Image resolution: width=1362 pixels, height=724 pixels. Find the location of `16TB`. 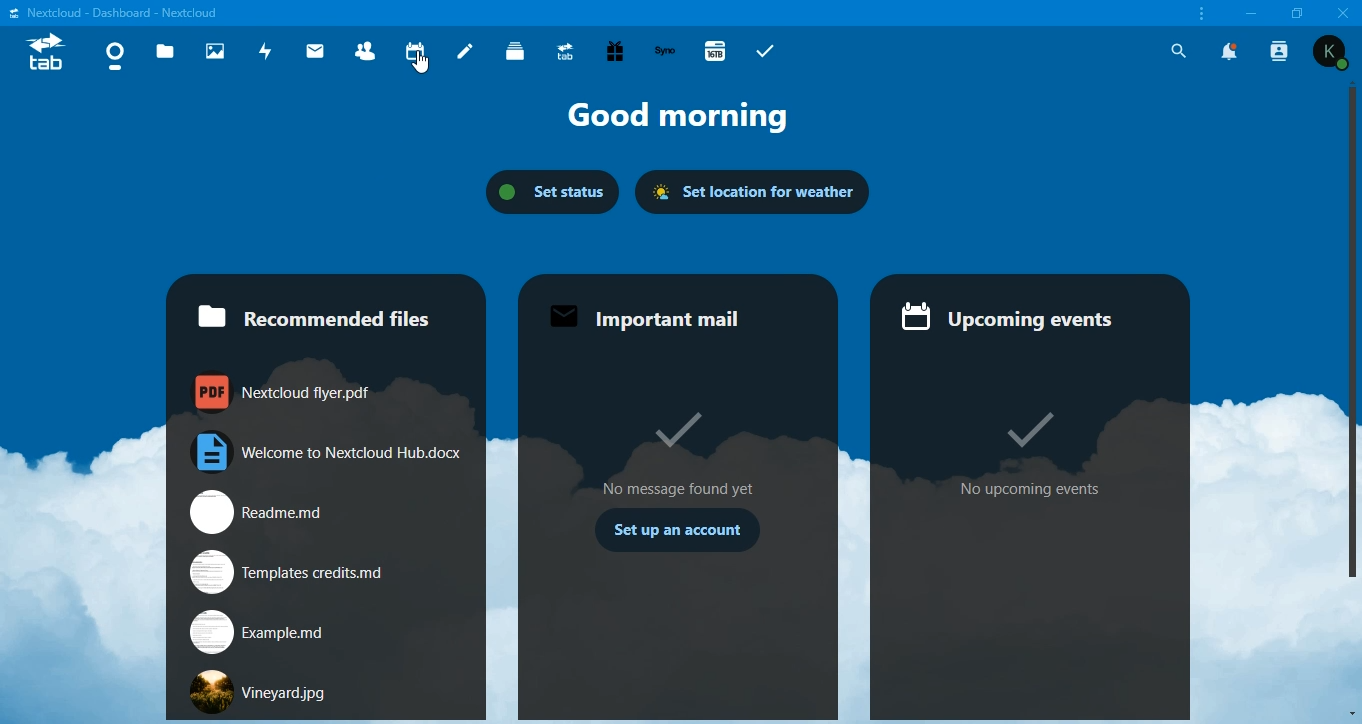

16TB is located at coordinates (715, 50).